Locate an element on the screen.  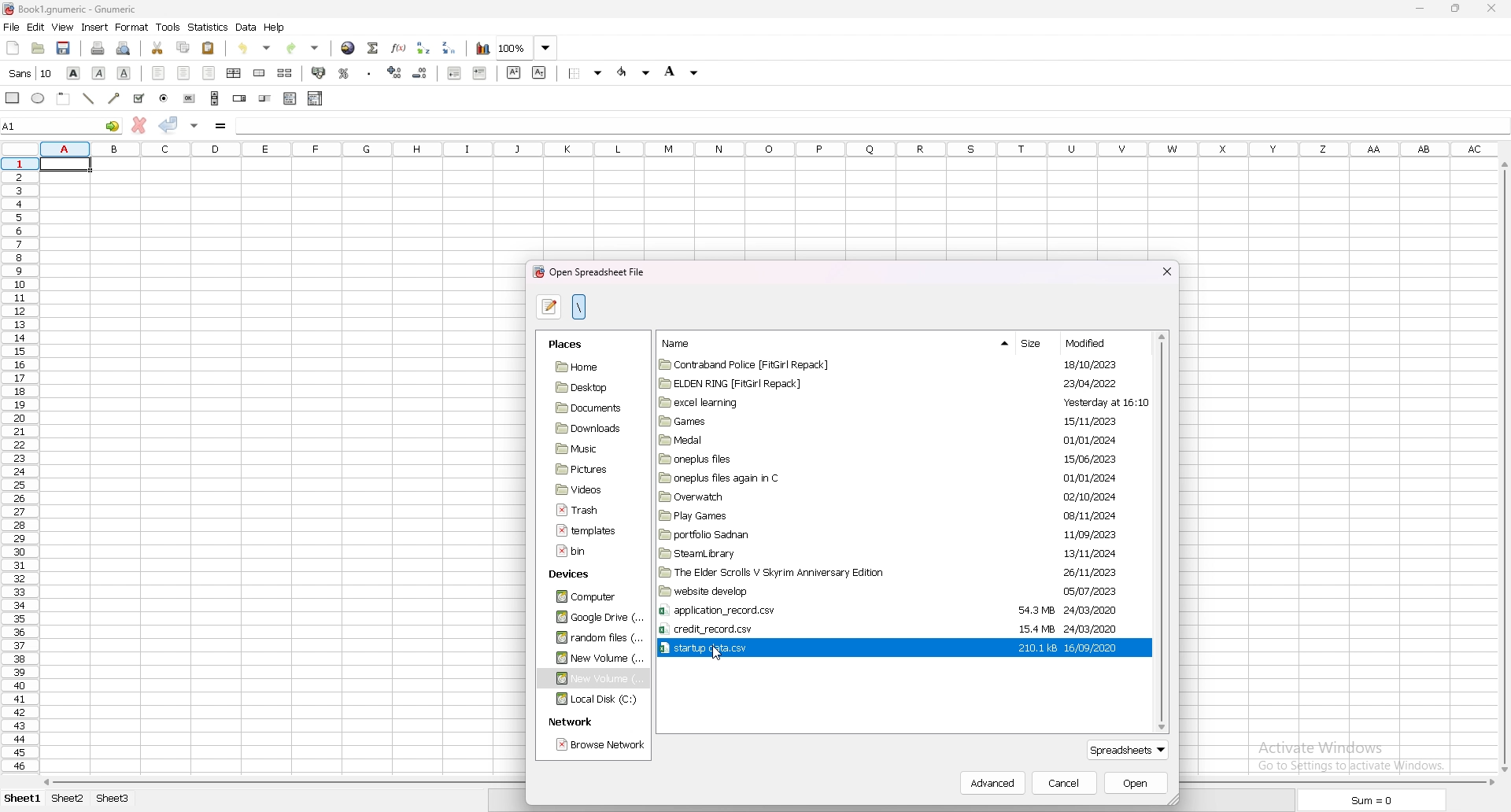
folder is located at coordinates (842, 552).